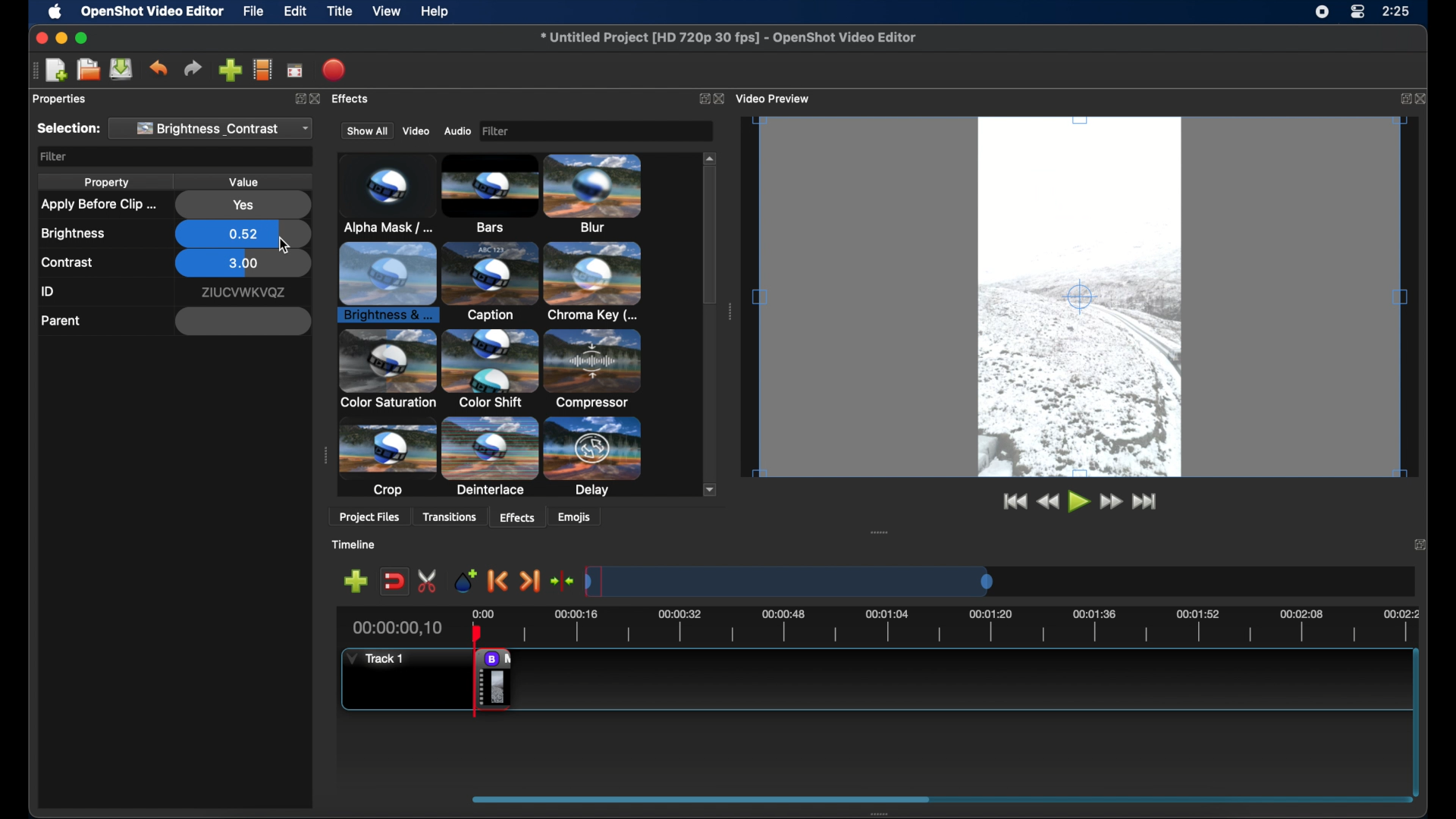 The image size is (1456, 819). Describe the element at coordinates (496, 580) in the screenshot. I see `previous marker` at that location.